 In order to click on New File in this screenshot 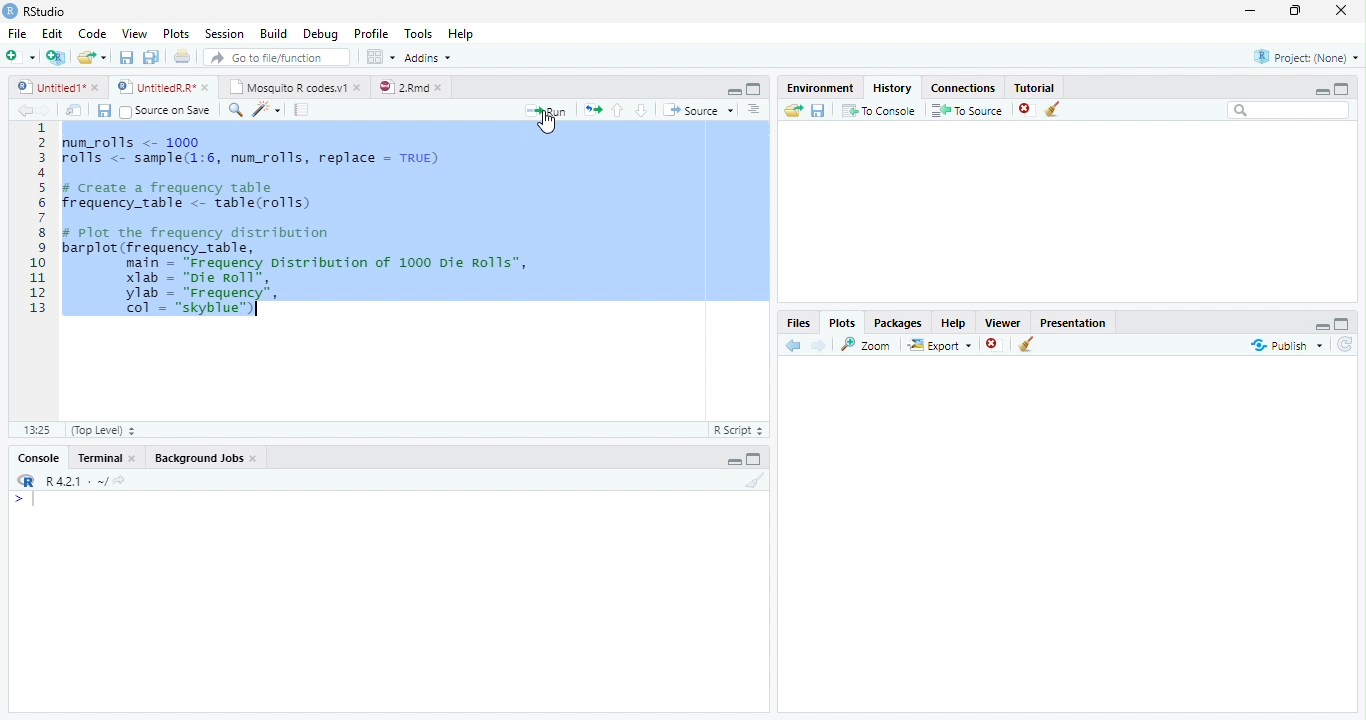, I will do `click(20, 56)`.